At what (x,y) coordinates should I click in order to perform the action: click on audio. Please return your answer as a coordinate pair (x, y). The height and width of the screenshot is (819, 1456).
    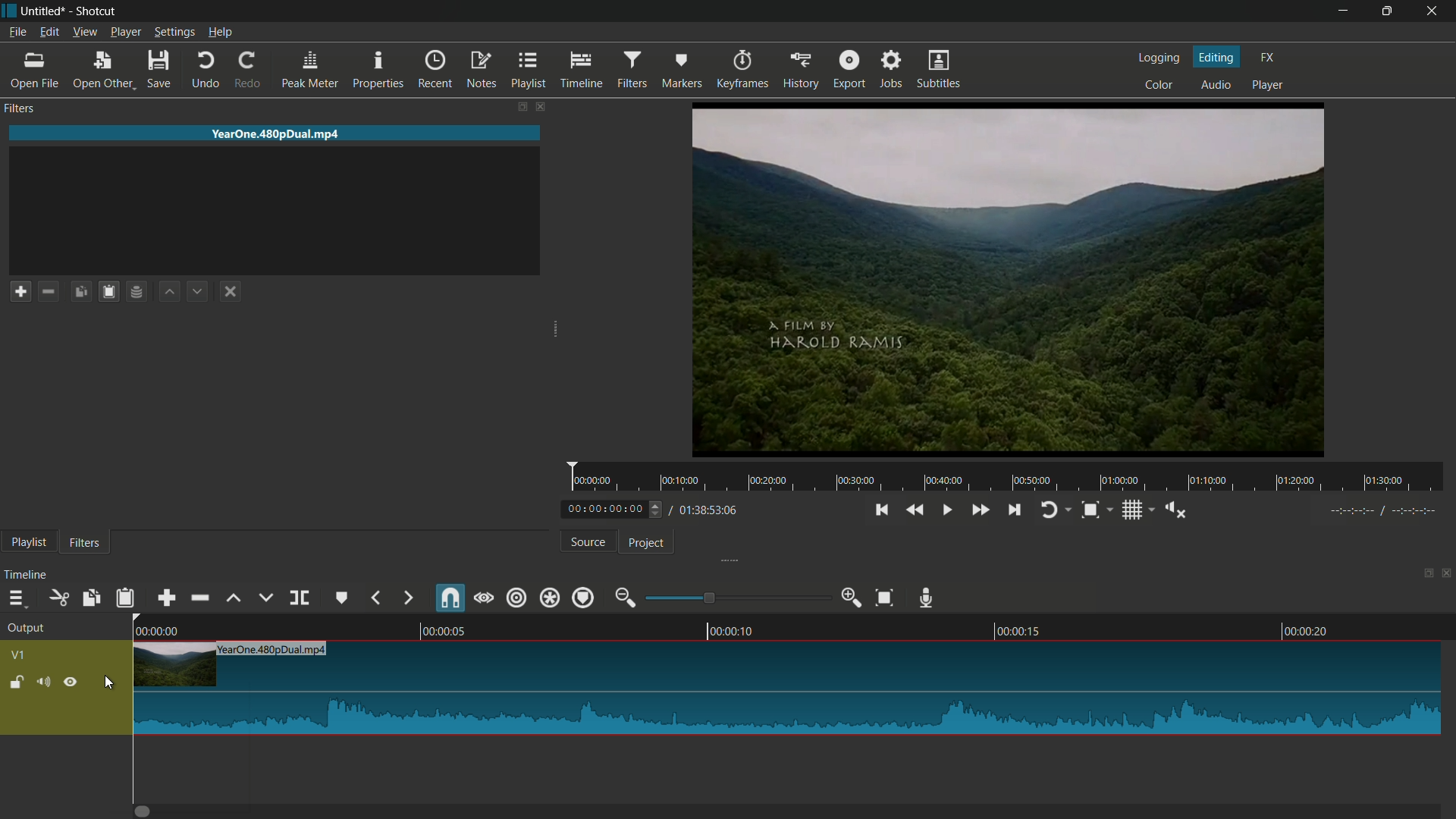
    Looking at the image, I should click on (1216, 84).